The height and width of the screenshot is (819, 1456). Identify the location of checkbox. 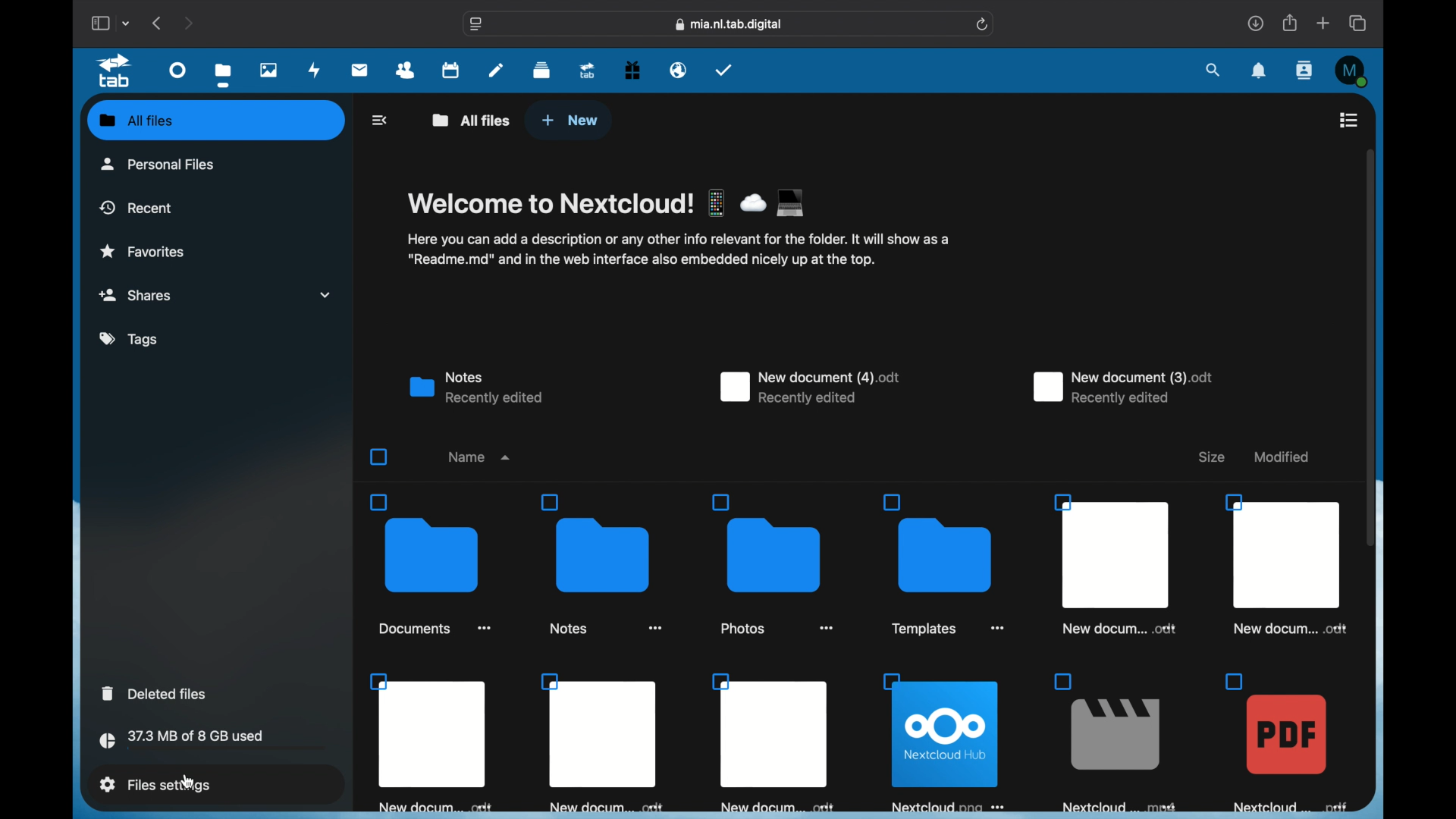
(378, 457).